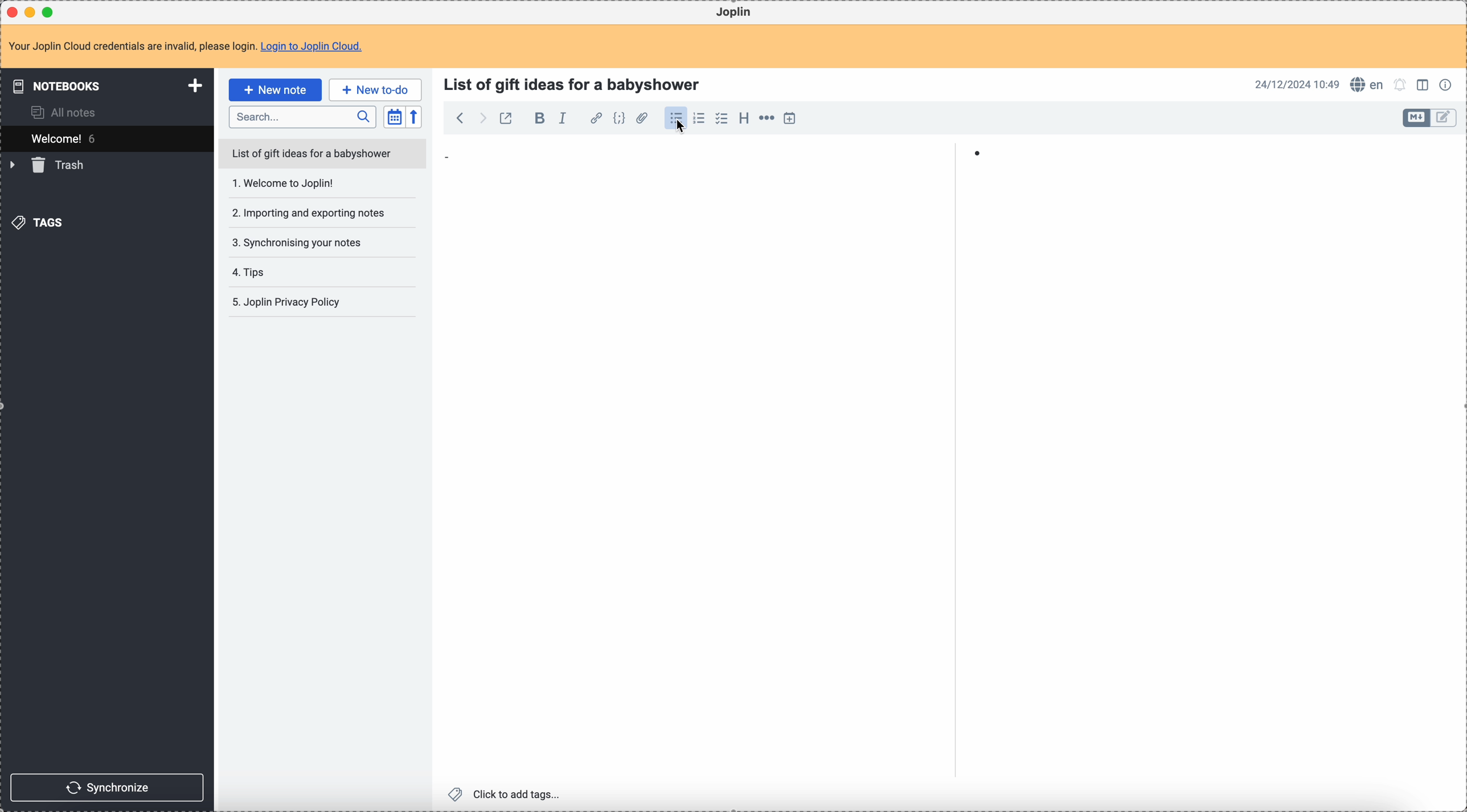 The image size is (1467, 812). Describe the element at coordinates (793, 118) in the screenshot. I see `insert time` at that location.